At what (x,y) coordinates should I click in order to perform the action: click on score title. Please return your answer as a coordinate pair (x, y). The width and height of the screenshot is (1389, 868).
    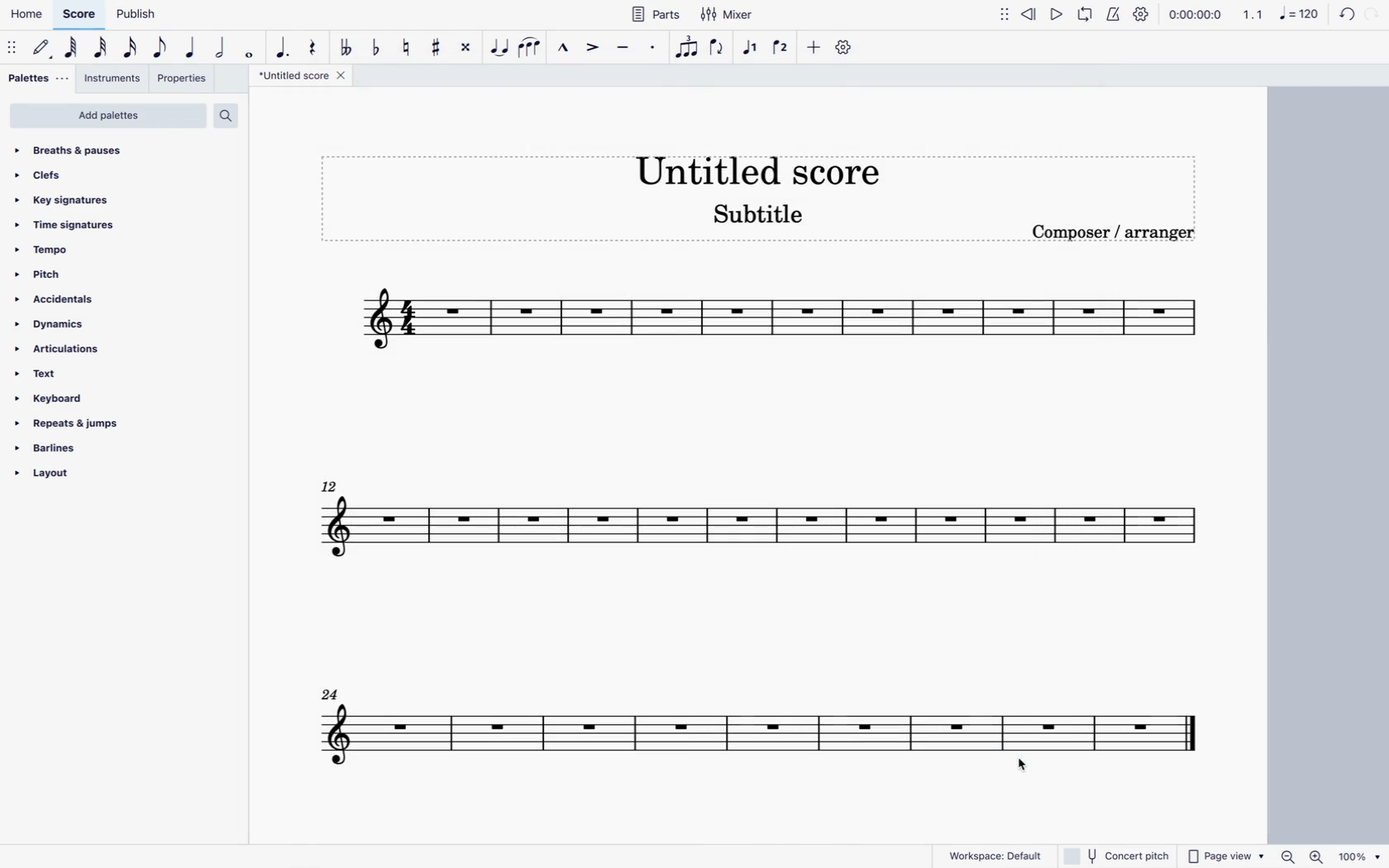
    Looking at the image, I should click on (304, 76).